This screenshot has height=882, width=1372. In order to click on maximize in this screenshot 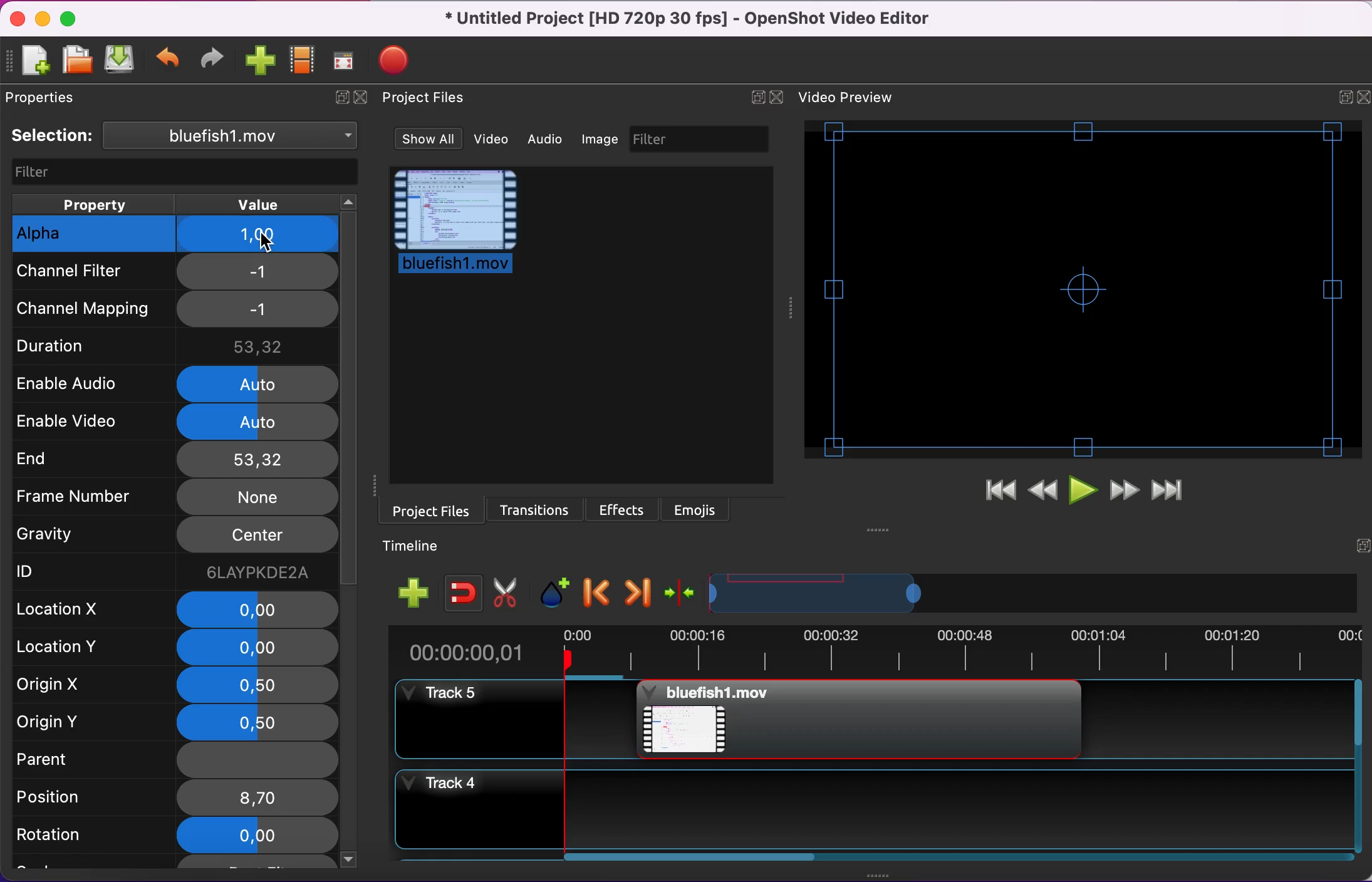, I will do `click(72, 22)`.